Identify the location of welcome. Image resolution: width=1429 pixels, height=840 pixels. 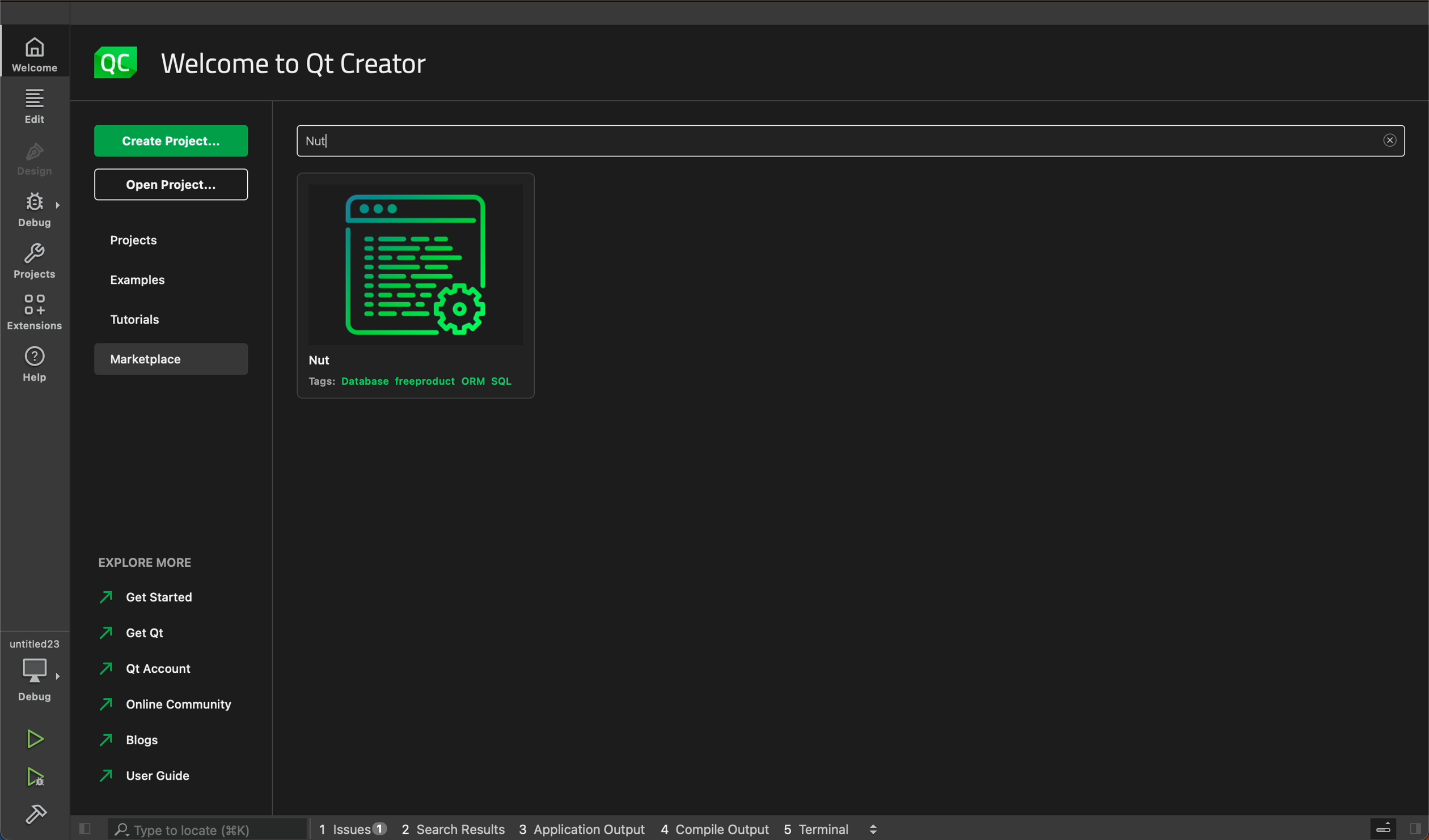
(38, 53).